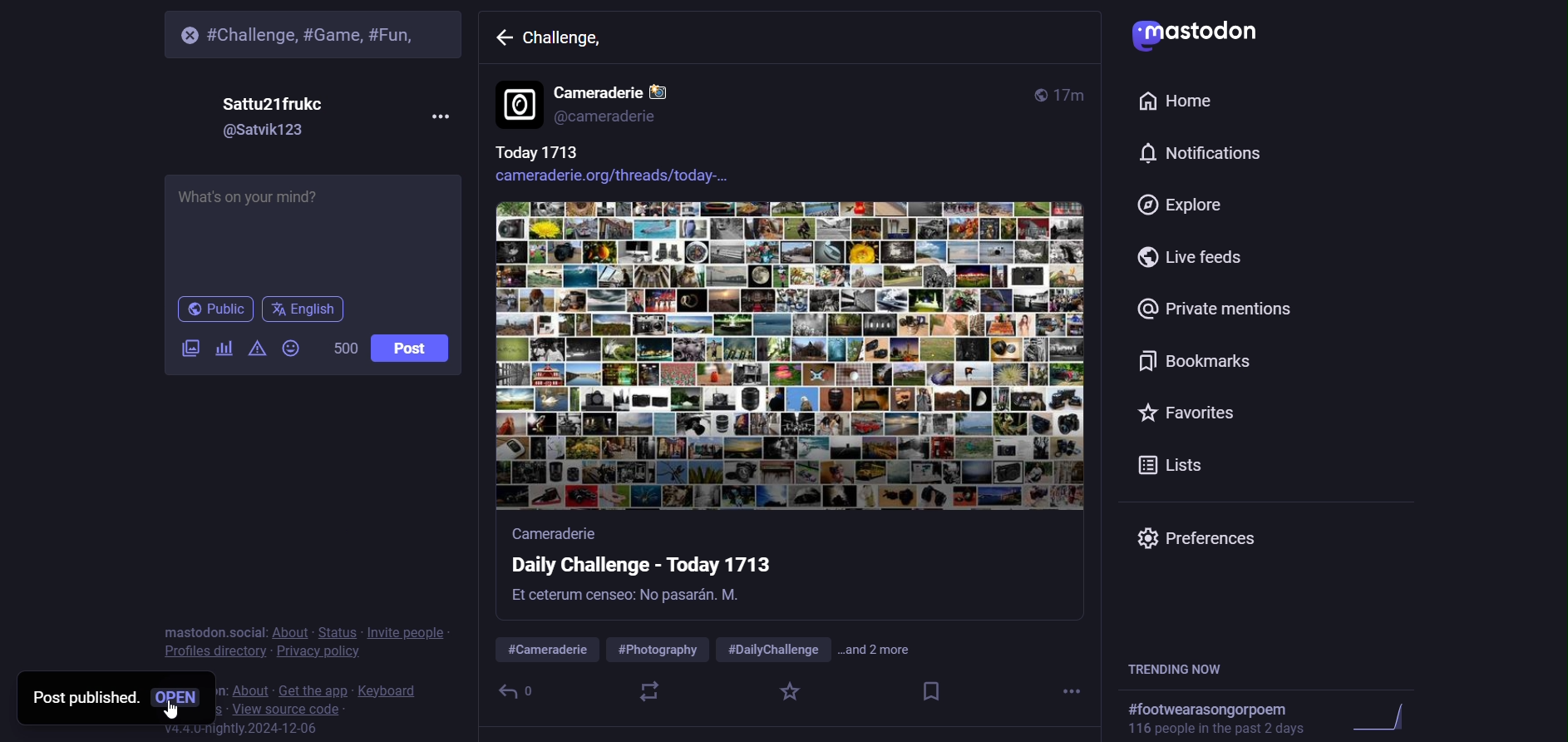 The image size is (1568, 742). Describe the element at coordinates (931, 693) in the screenshot. I see `bookmark` at that location.